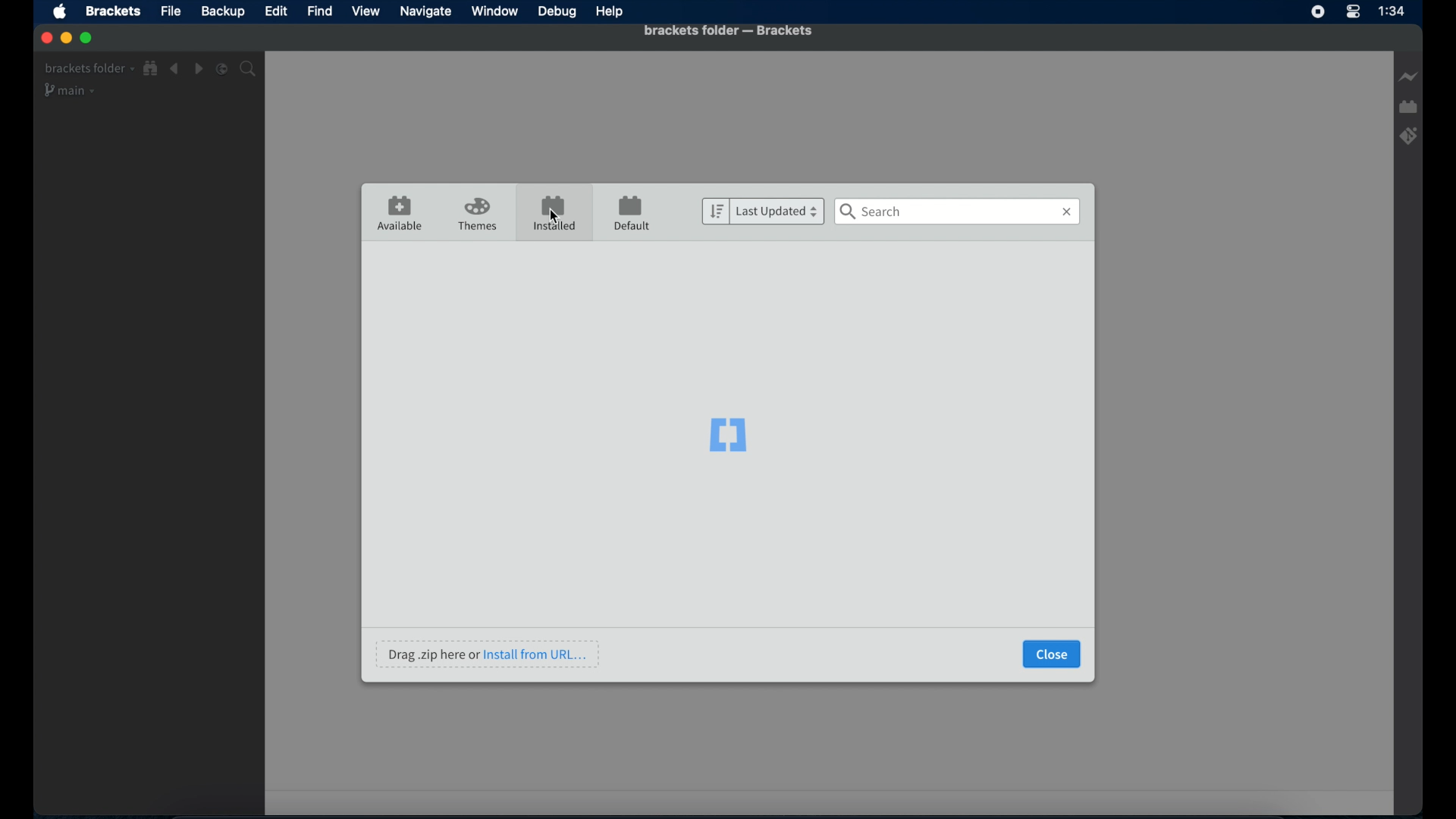 This screenshot has width=1456, height=819. I want to click on Control center, so click(1352, 12).